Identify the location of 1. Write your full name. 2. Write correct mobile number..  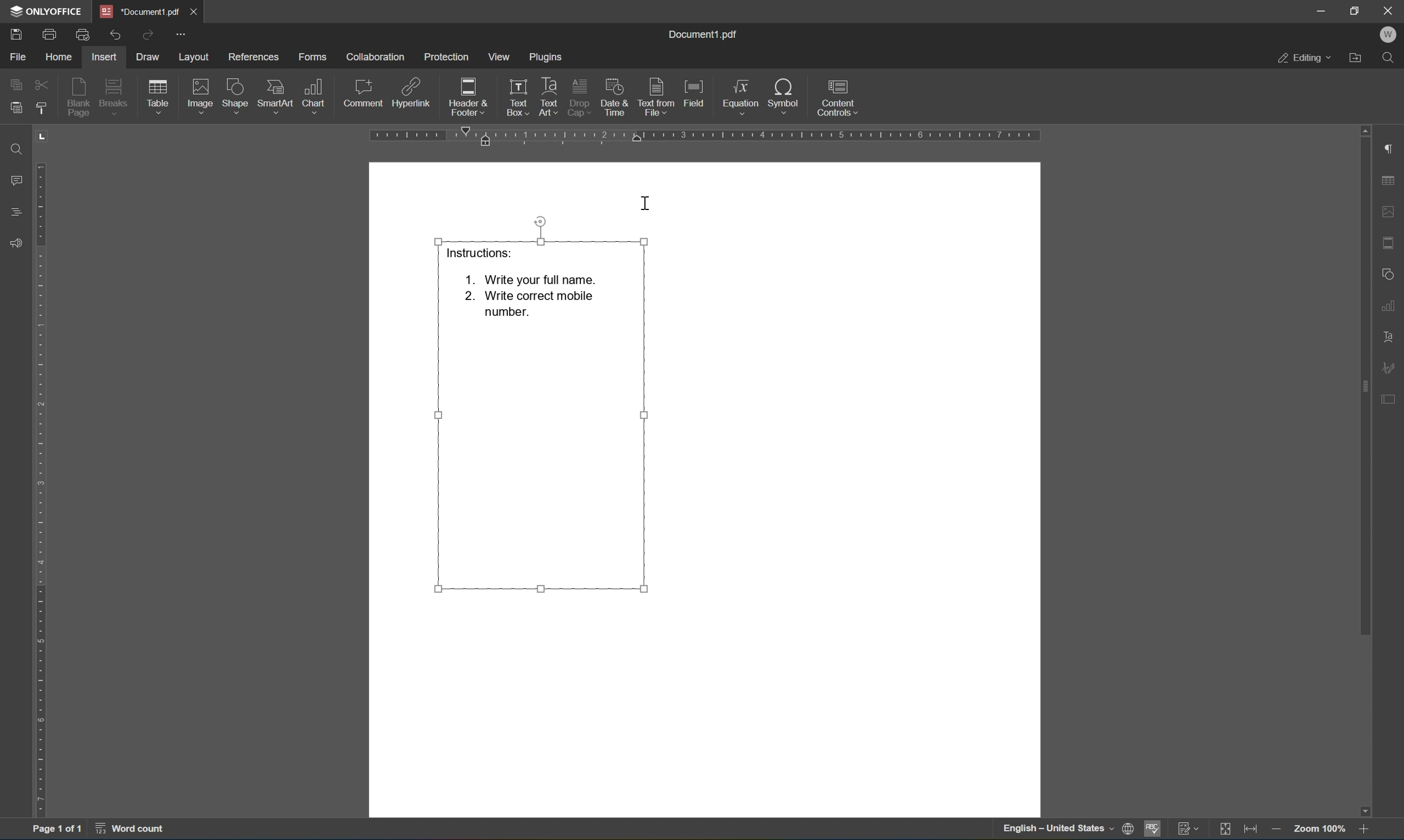
(531, 297).